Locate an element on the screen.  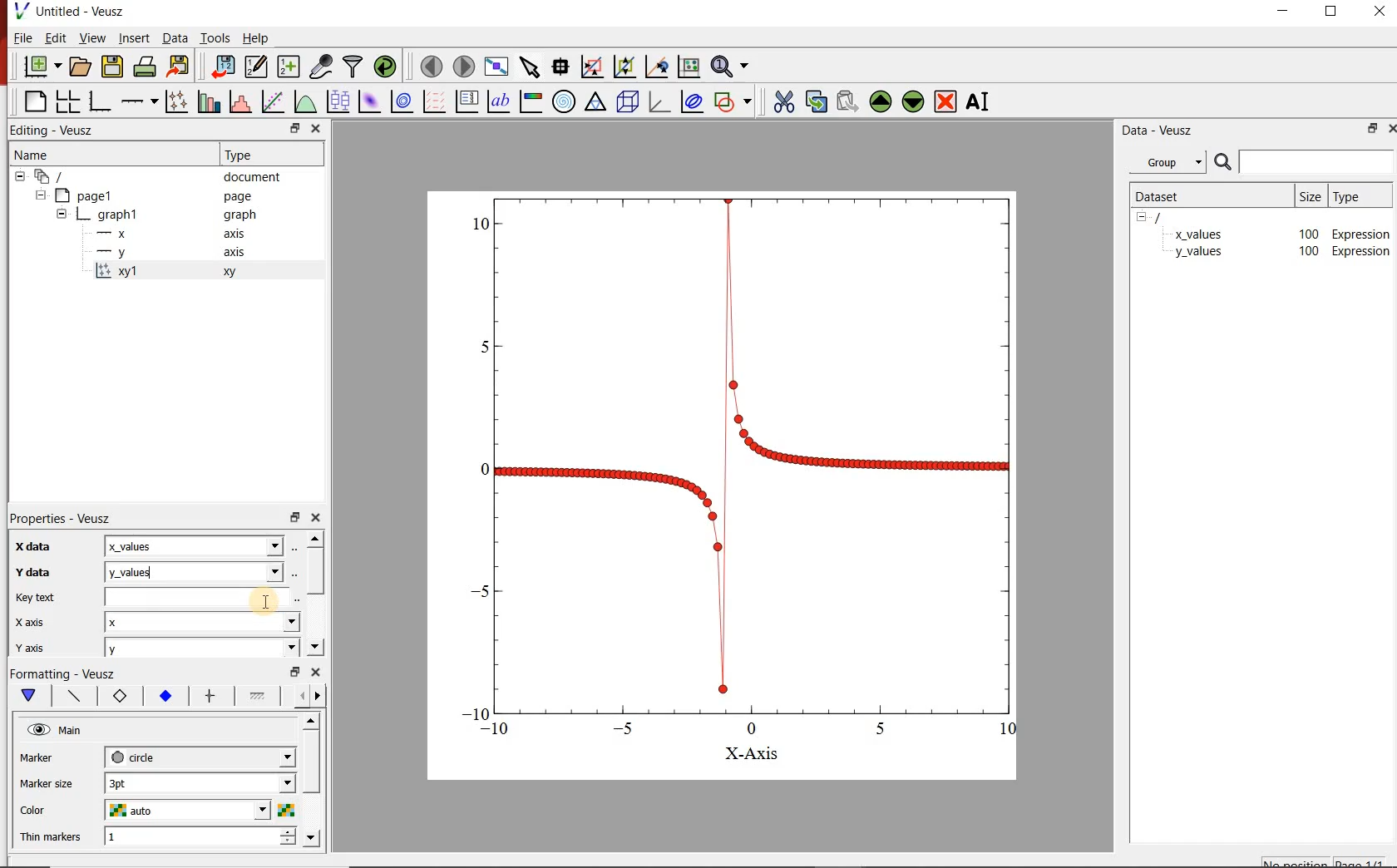
search is located at coordinates (1221, 162).